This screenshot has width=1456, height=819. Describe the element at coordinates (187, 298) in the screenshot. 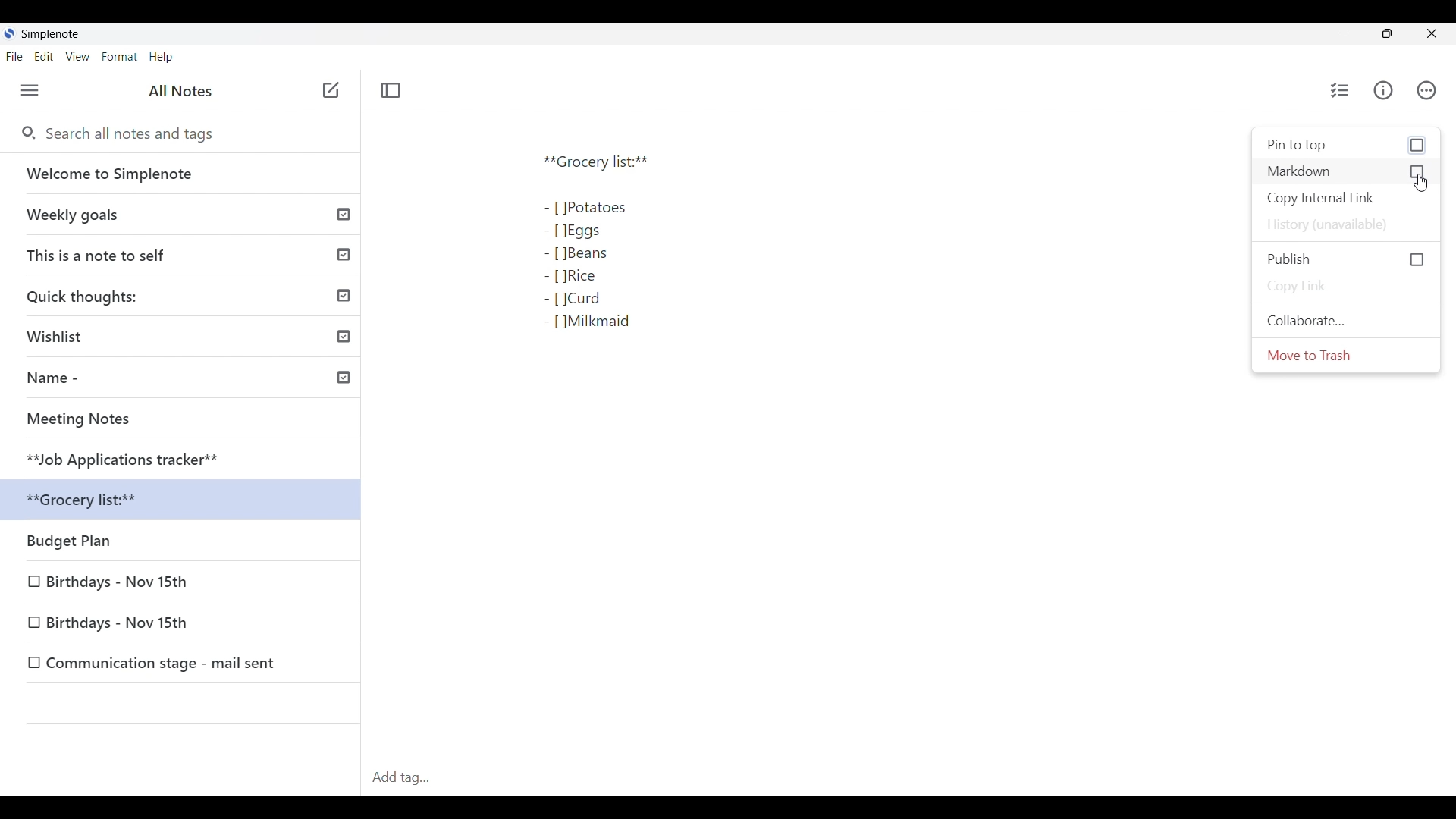

I see `Quick thoughts:` at that location.